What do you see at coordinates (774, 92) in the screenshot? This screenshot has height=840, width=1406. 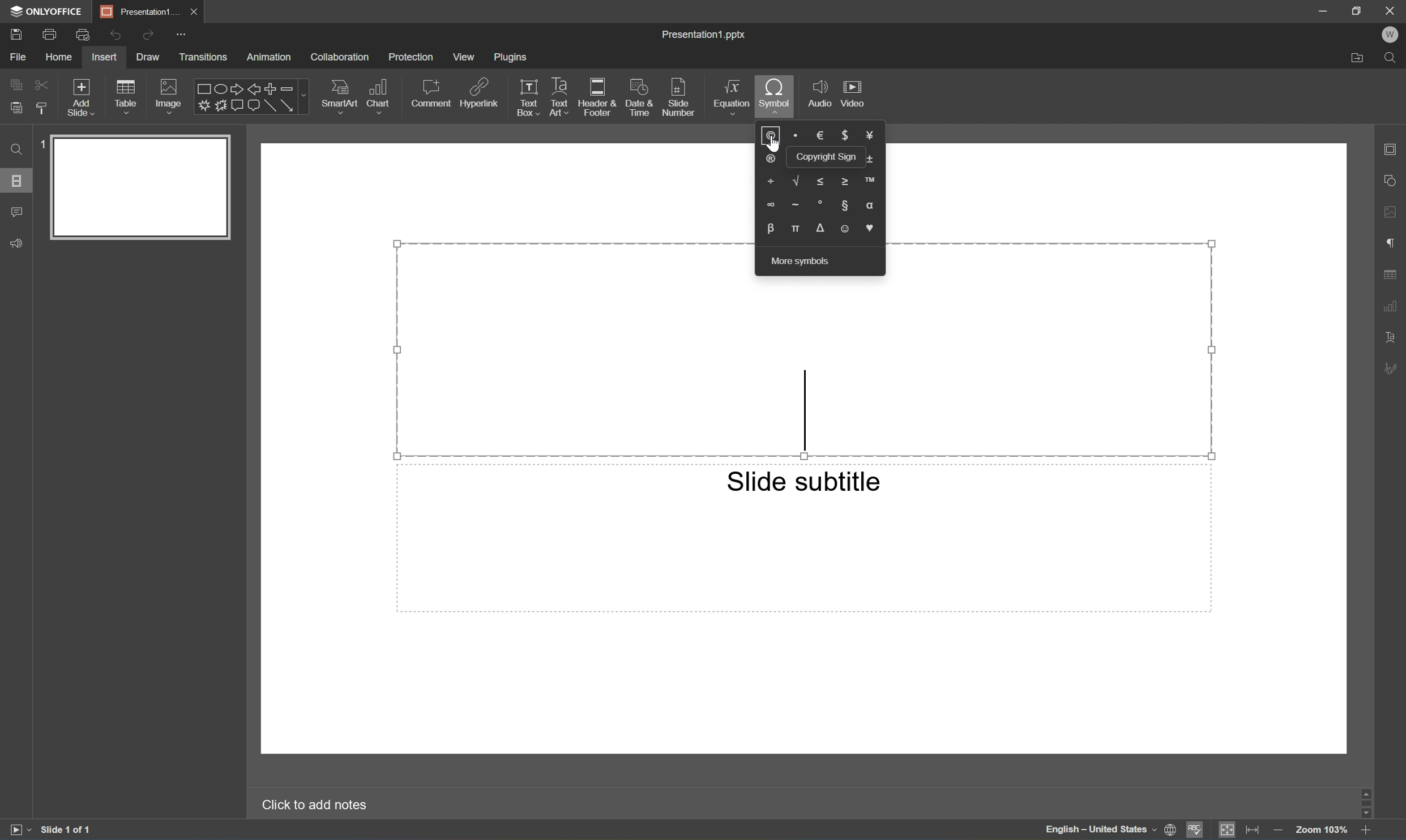 I see `Symbol` at bounding box center [774, 92].